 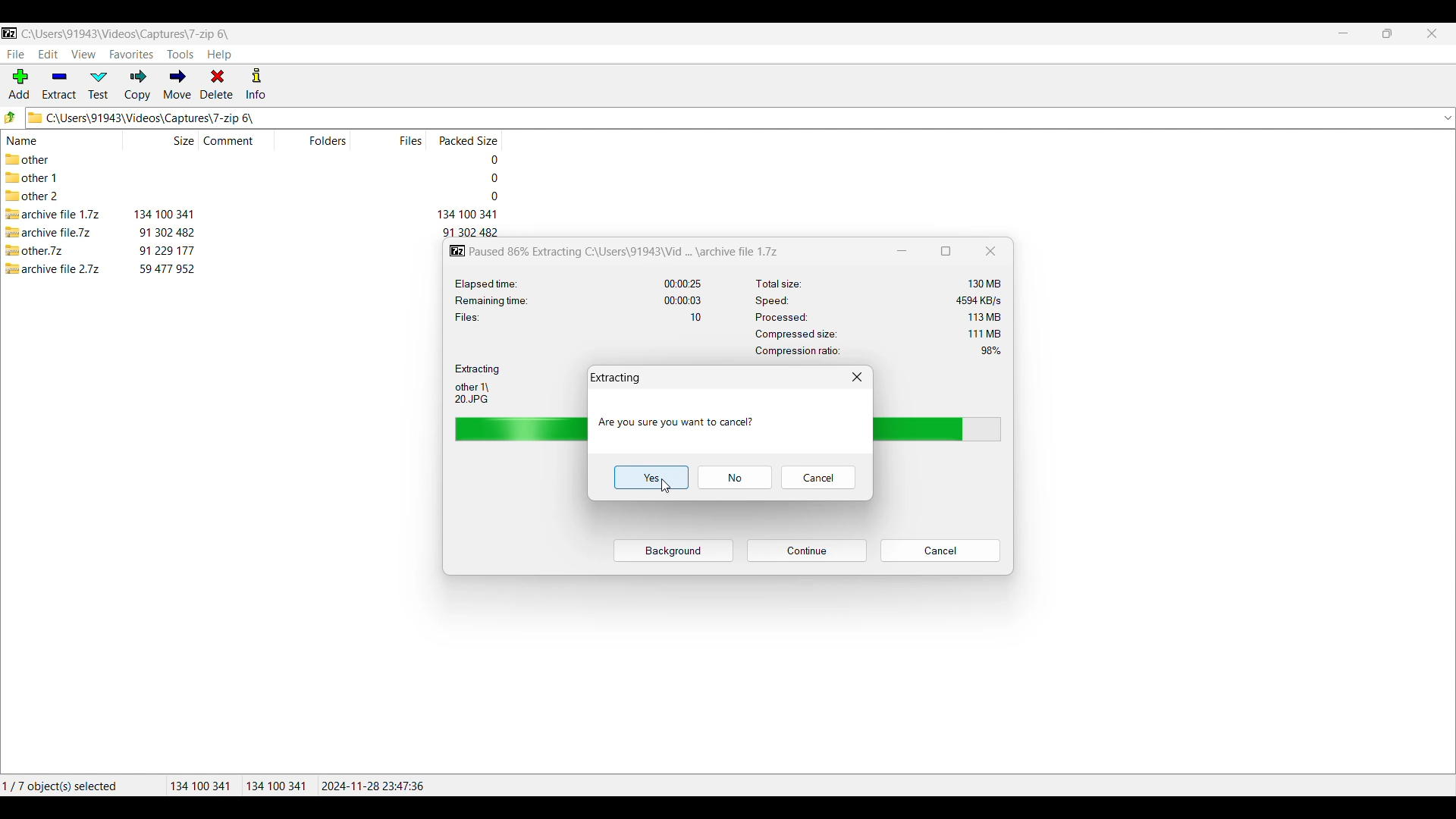 What do you see at coordinates (1447, 118) in the screenshot?
I see `dropdown` at bounding box center [1447, 118].